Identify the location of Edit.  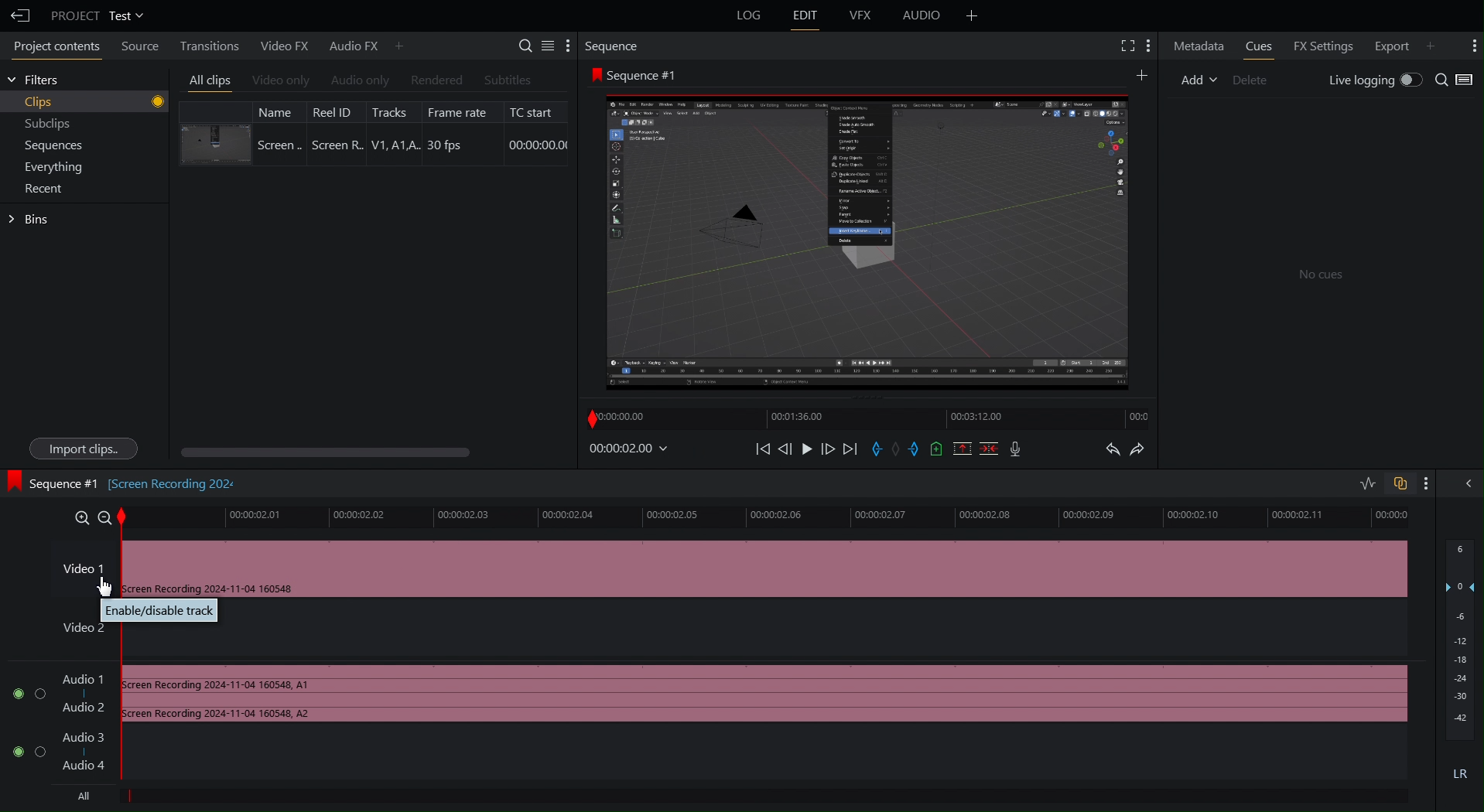
(805, 16).